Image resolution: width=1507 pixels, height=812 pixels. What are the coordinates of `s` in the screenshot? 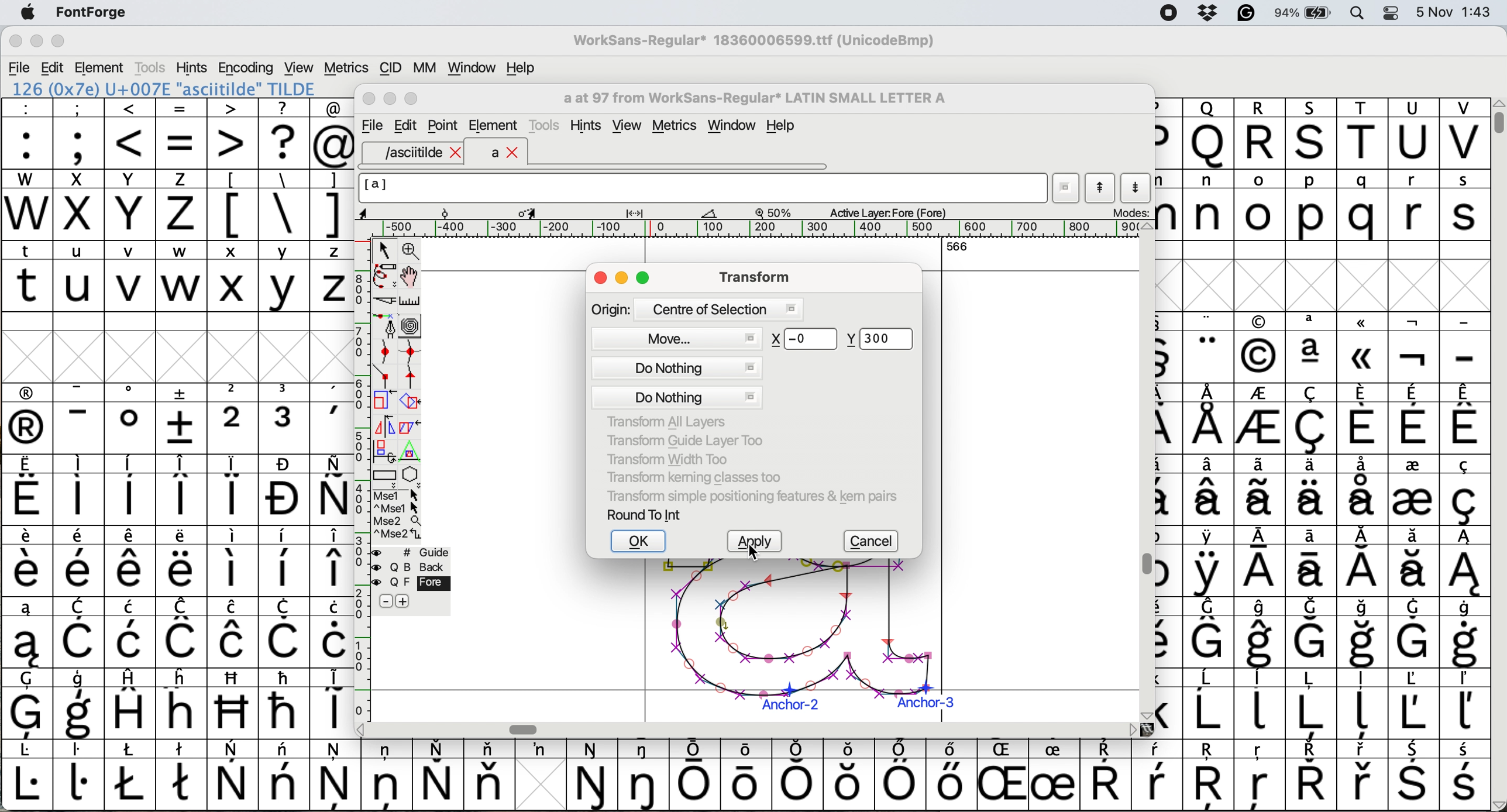 It's located at (1465, 205).